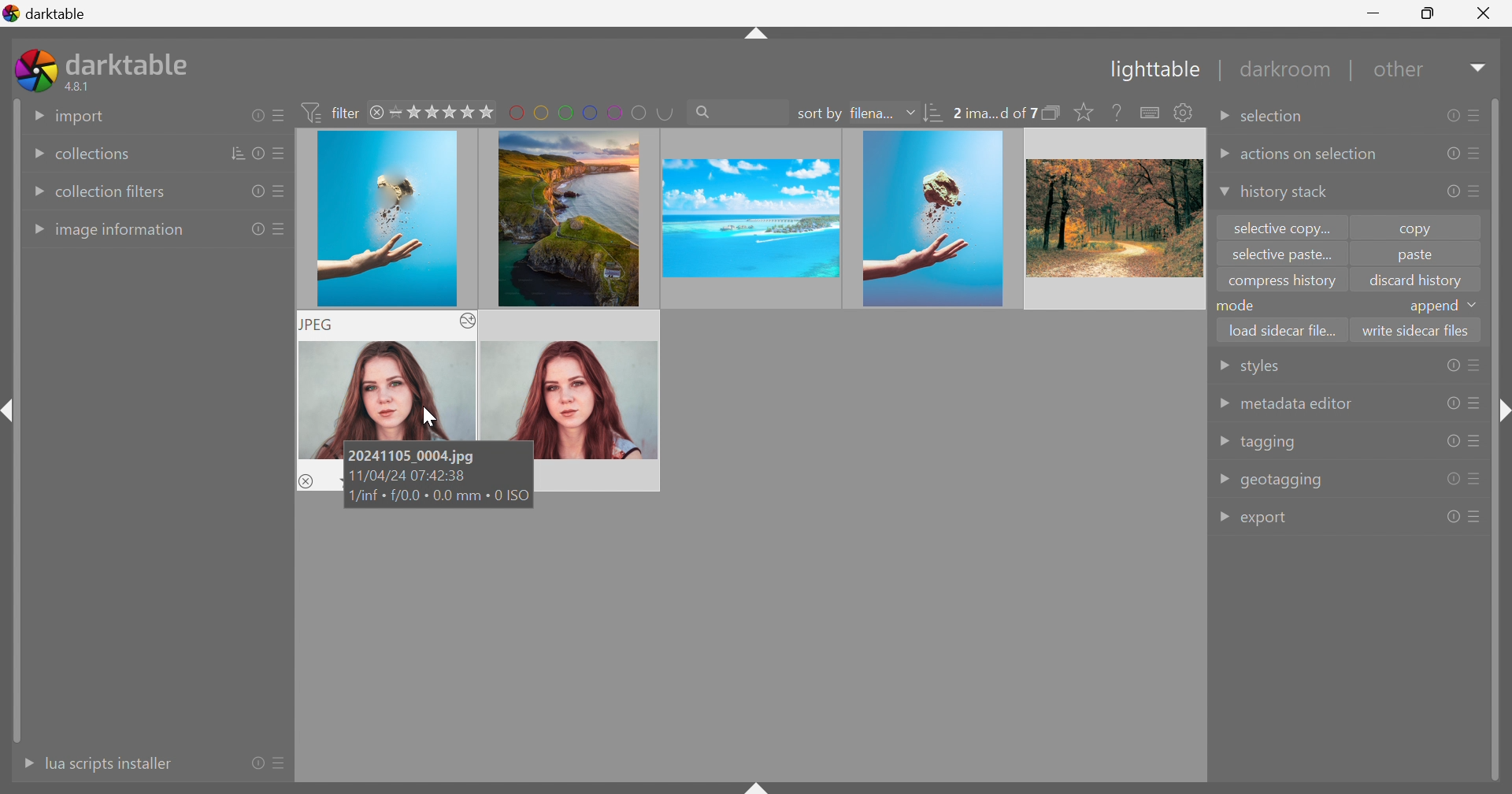 Image resolution: width=1512 pixels, height=794 pixels. What do you see at coordinates (1113, 218) in the screenshot?
I see `image` at bounding box center [1113, 218].